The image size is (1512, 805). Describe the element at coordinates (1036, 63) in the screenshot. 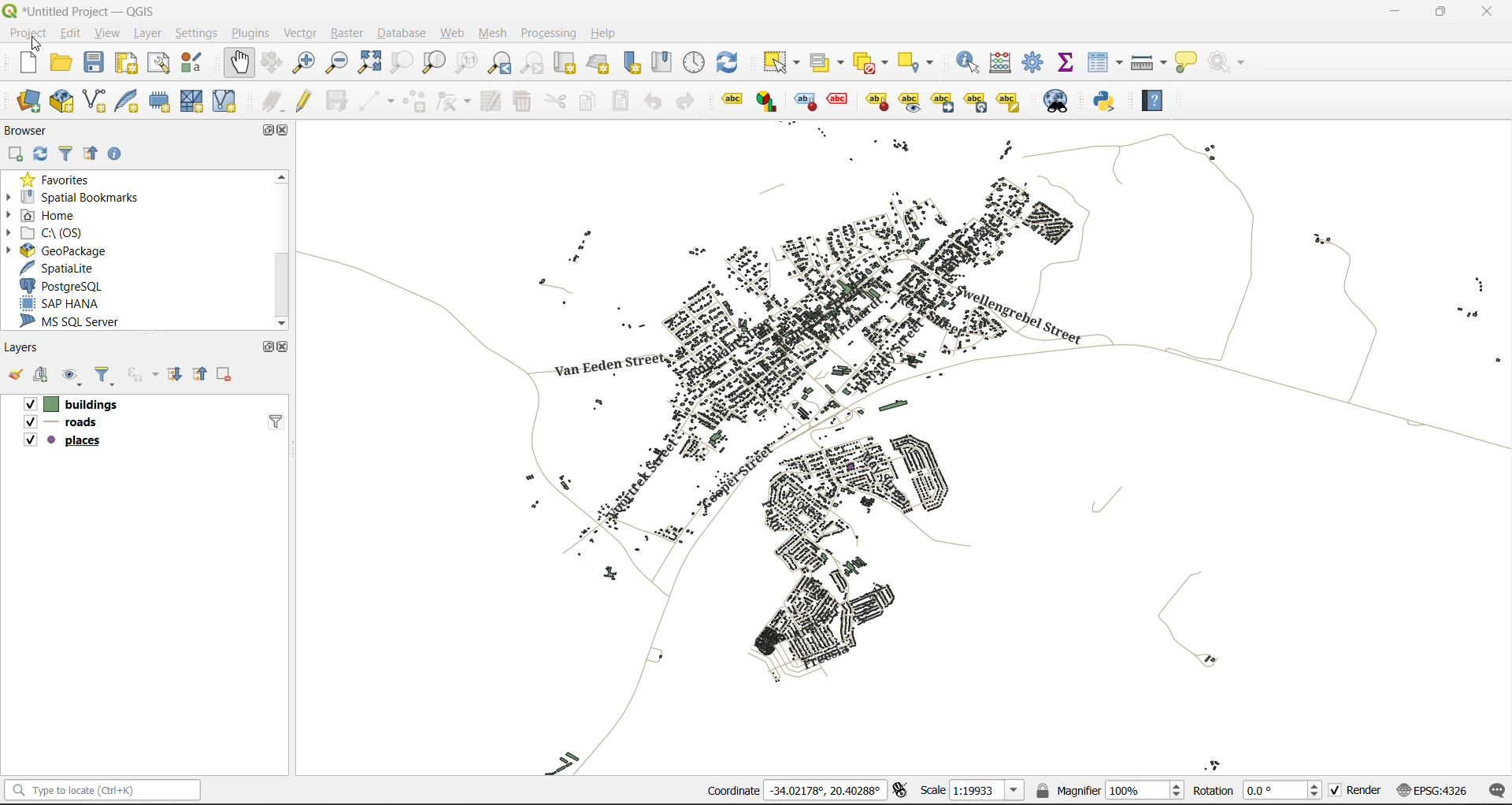

I see `toolbox` at that location.